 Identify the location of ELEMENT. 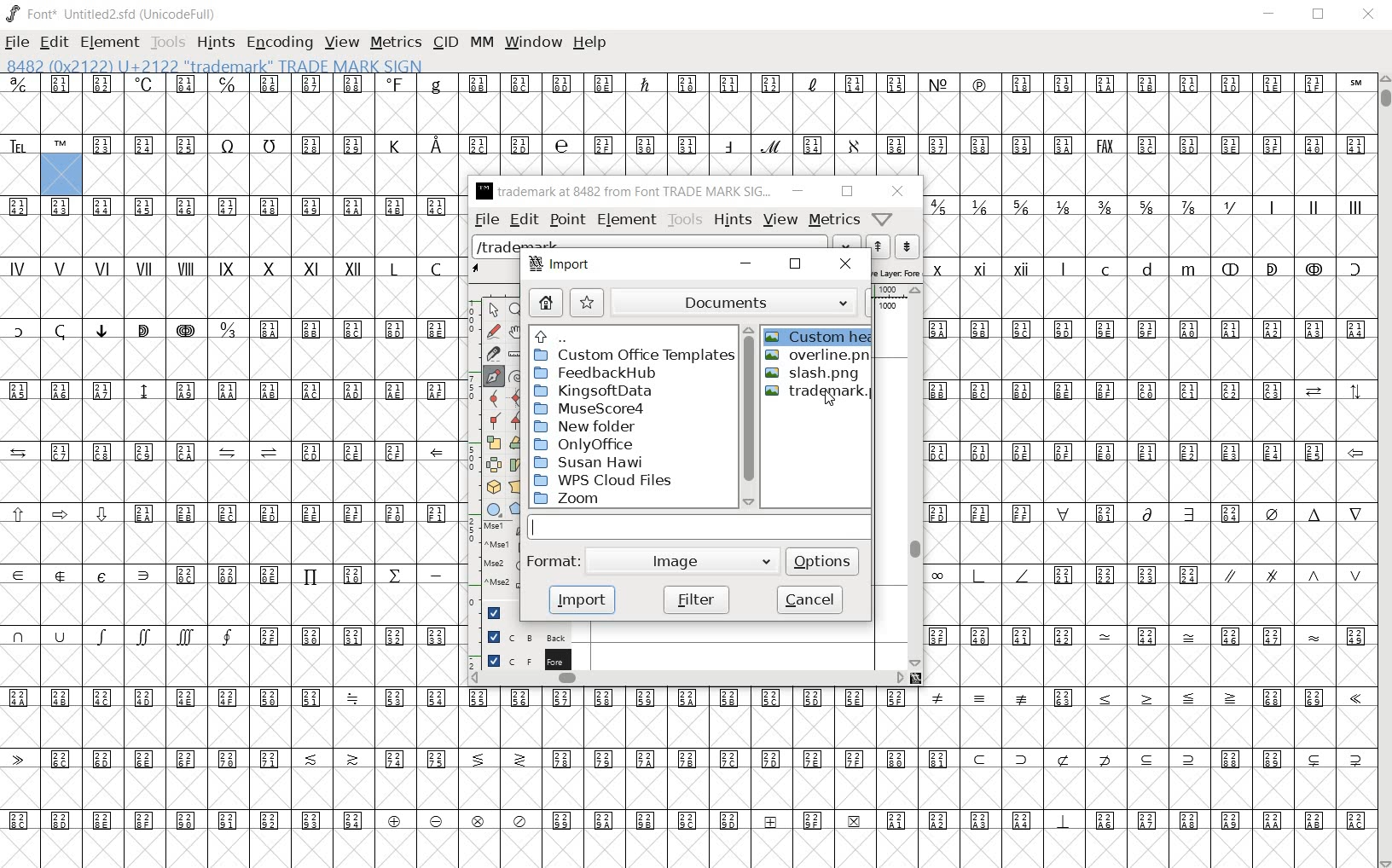
(111, 44).